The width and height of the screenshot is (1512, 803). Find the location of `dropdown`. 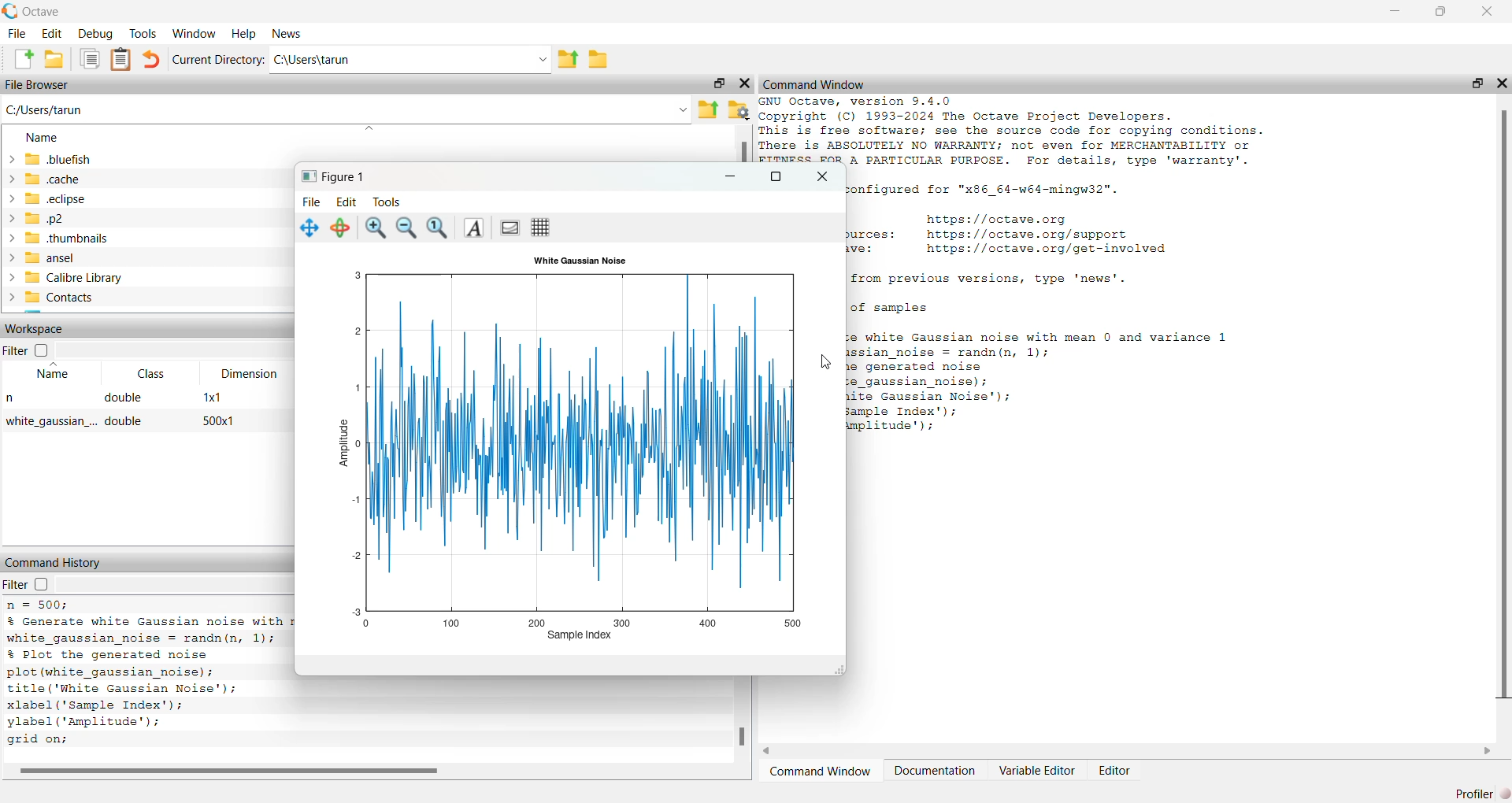

dropdown is located at coordinates (178, 348).